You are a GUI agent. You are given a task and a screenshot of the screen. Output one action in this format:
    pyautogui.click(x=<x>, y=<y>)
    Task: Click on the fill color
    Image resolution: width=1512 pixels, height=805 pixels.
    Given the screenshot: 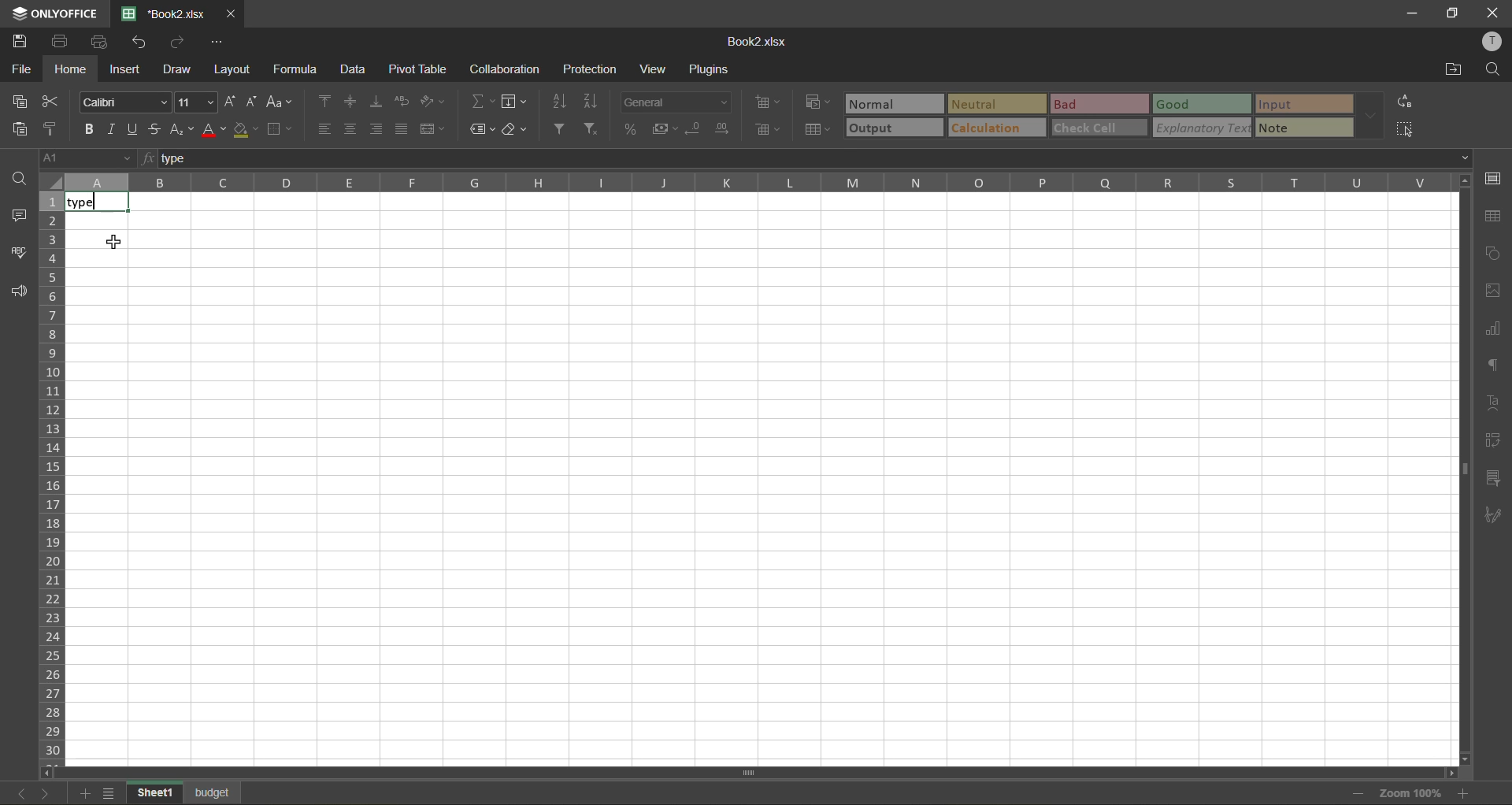 What is the action you would take?
    pyautogui.click(x=246, y=131)
    